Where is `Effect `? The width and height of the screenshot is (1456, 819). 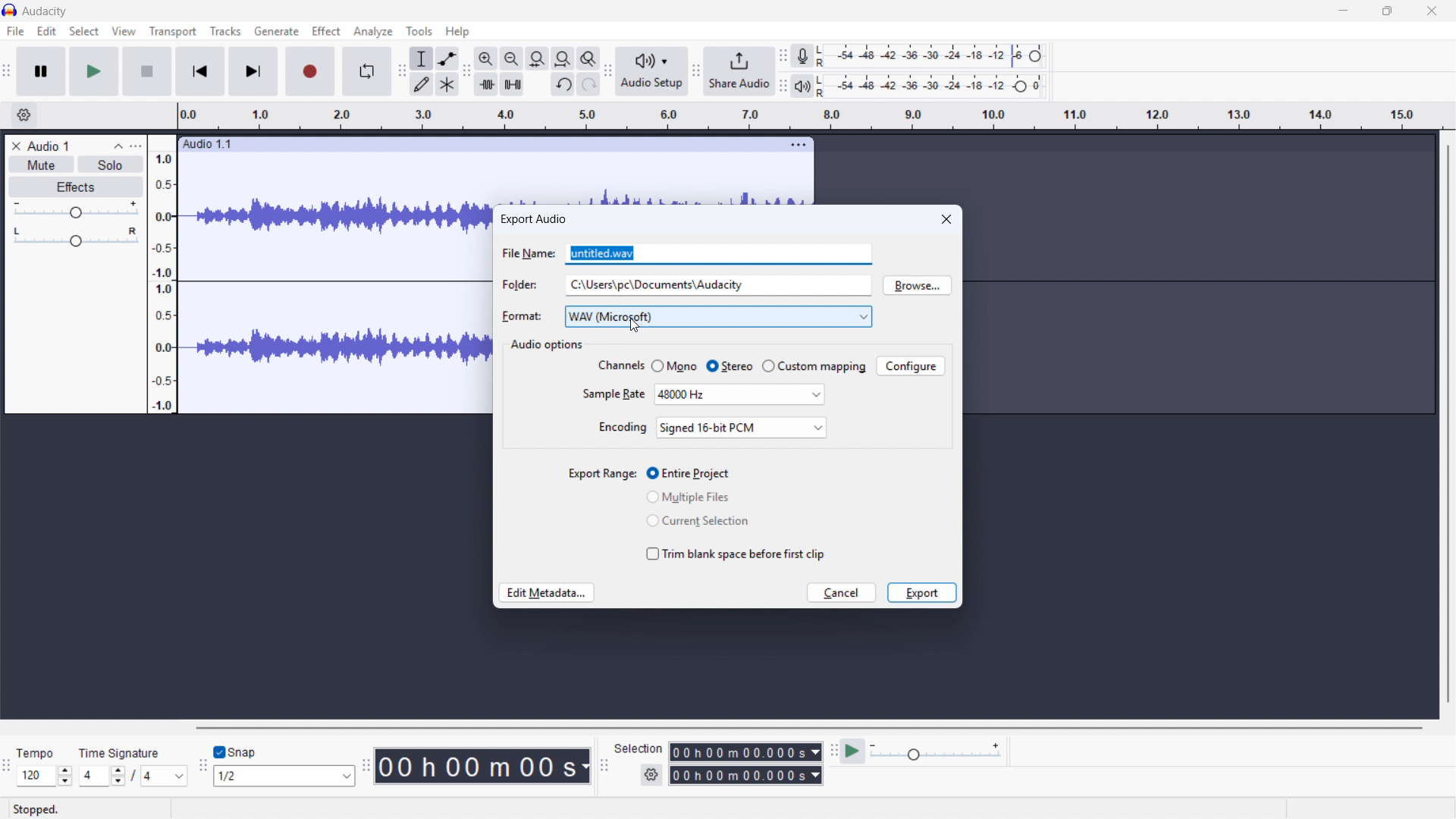 Effect  is located at coordinates (325, 30).